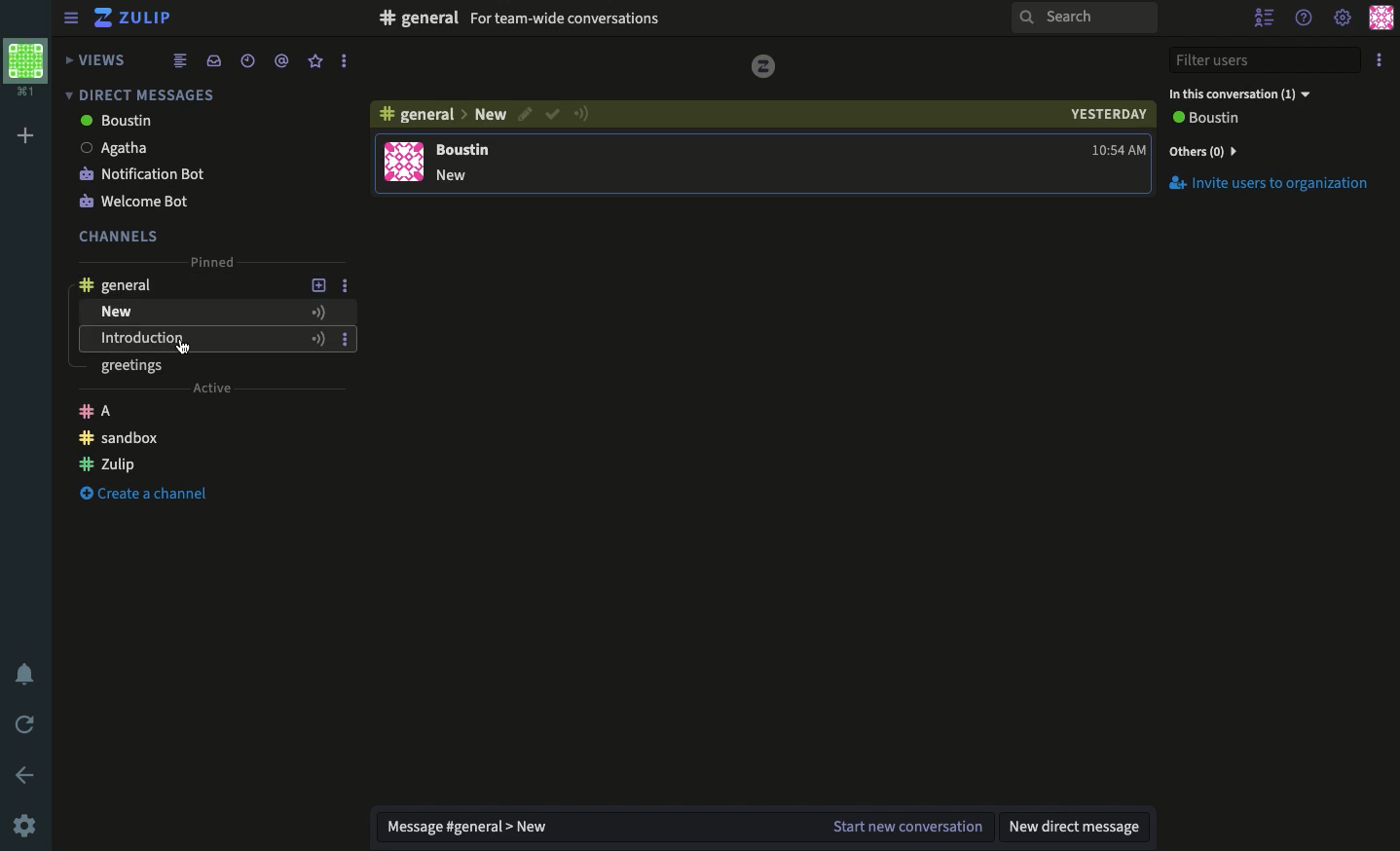 This screenshot has width=1400, height=851. Describe the element at coordinates (205, 464) in the screenshot. I see `Channel Zulip ` at that location.